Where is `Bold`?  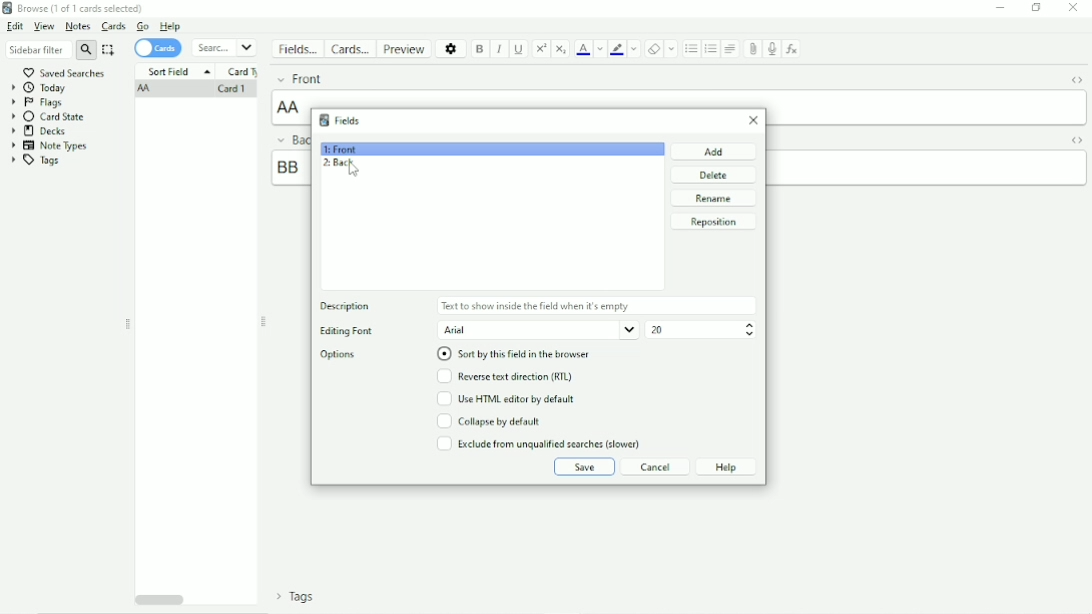
Bold is located at coordinates (480, 50).